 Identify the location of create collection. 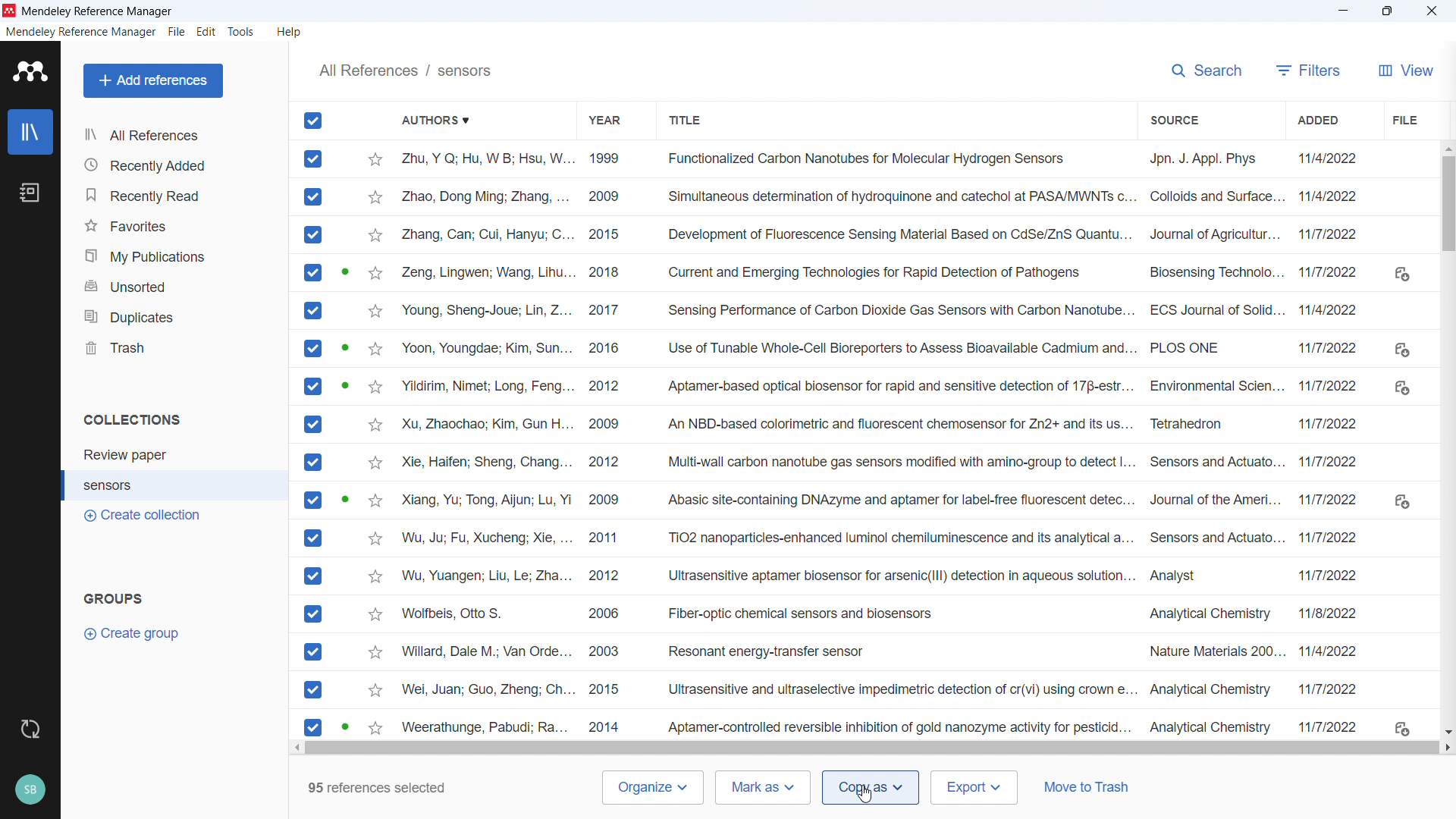
(146, 516).